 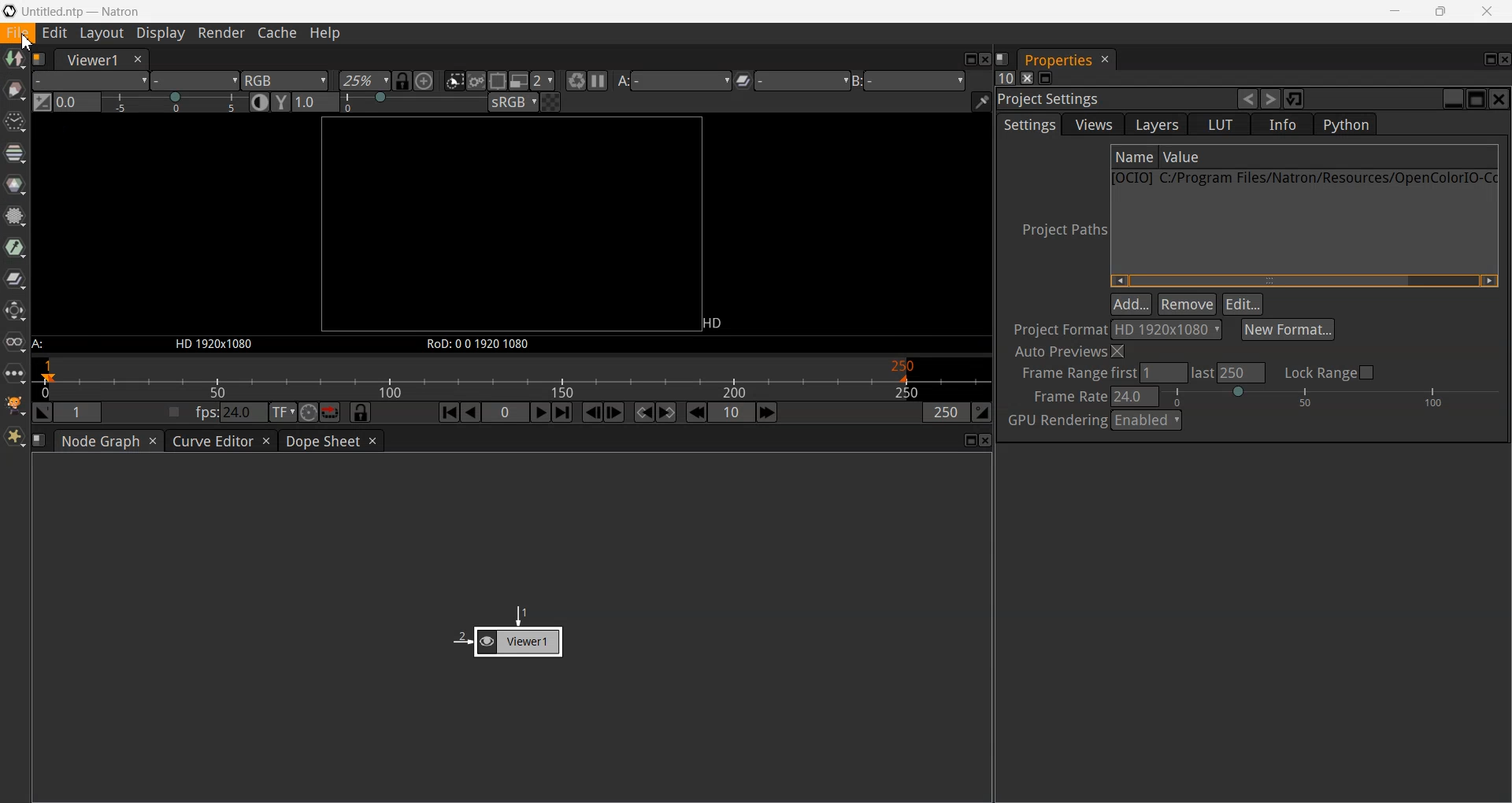 What do you see at coordinates (1393, 11) in the screenshot?
I see `Minimize` at bounding box center [1393, 11].